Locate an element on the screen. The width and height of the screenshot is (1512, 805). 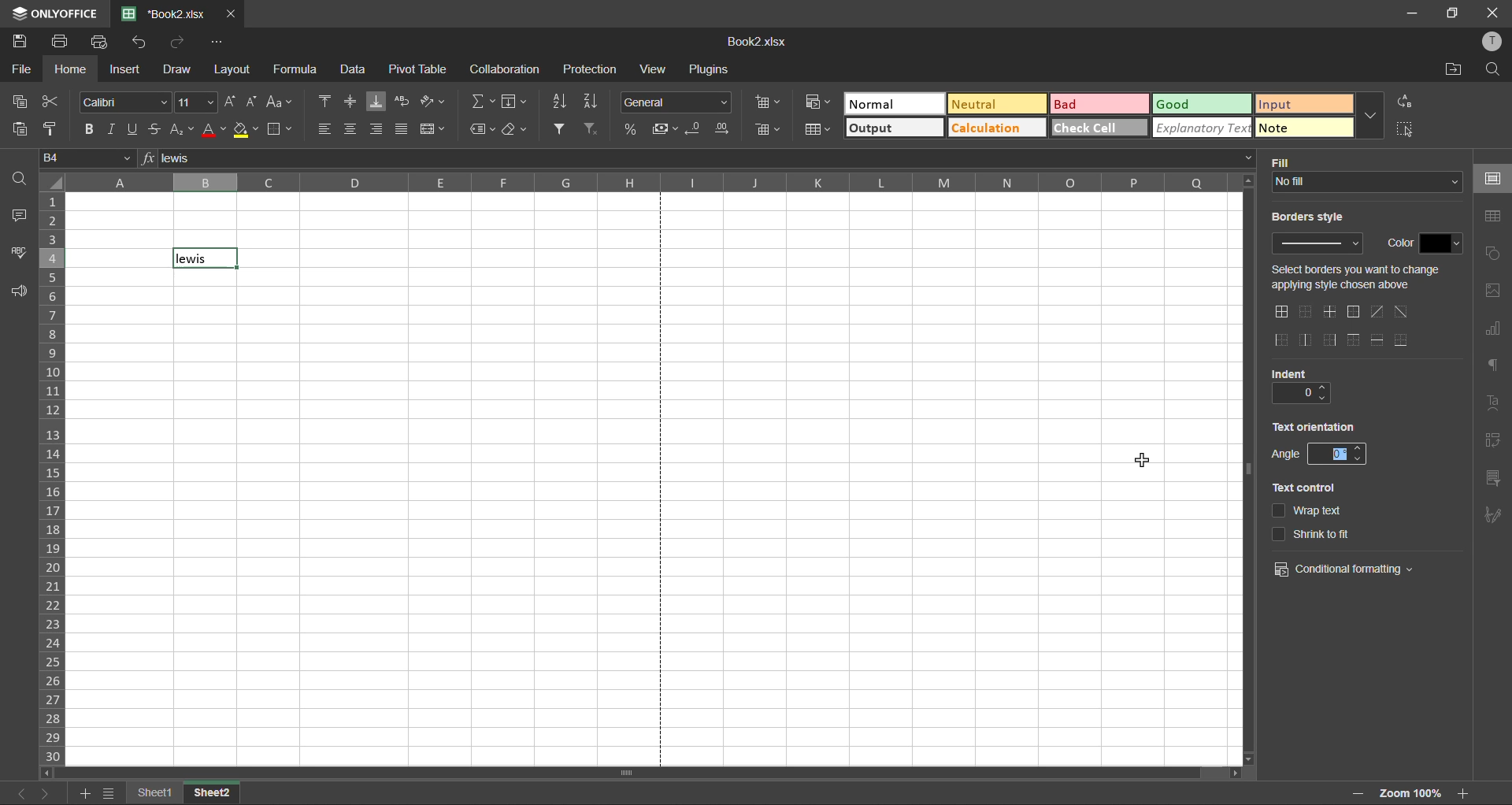
slicer is located at coordinates (1496, 480).